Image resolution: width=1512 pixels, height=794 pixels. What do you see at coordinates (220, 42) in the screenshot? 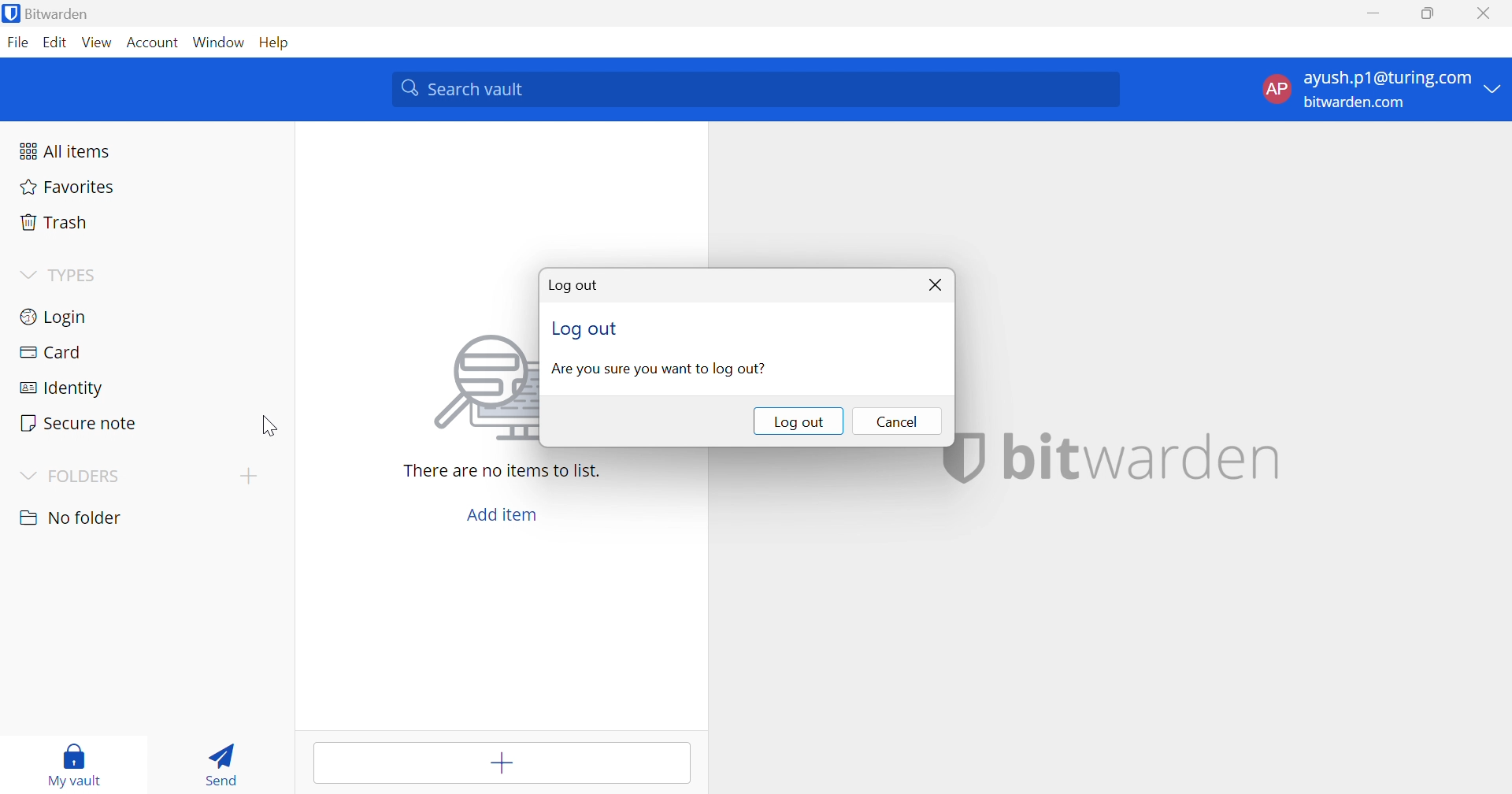
I see `Window` at bounding box center [220, 42].